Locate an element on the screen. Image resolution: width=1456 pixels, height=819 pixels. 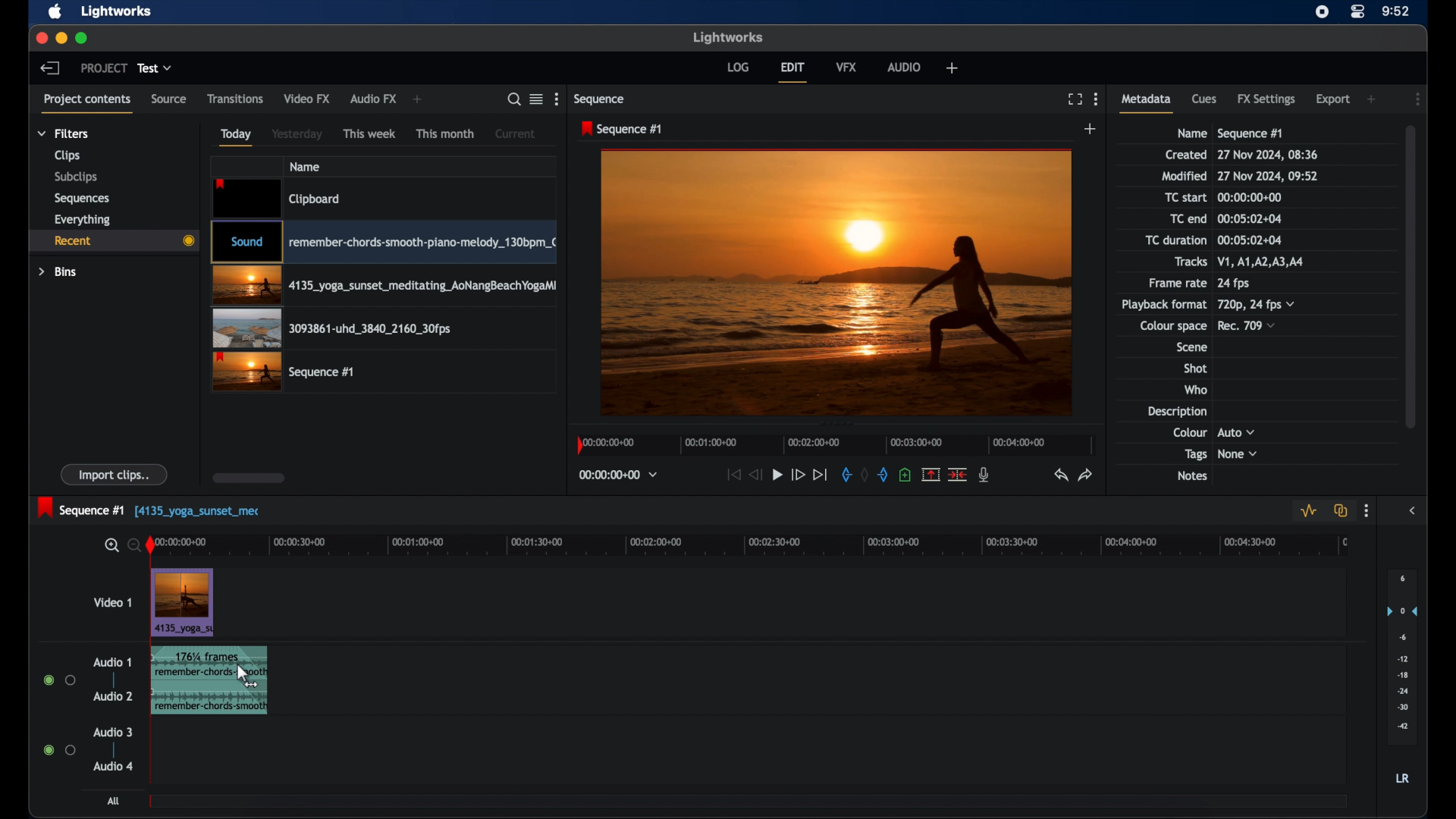
back is located at coordinates (50, 68).